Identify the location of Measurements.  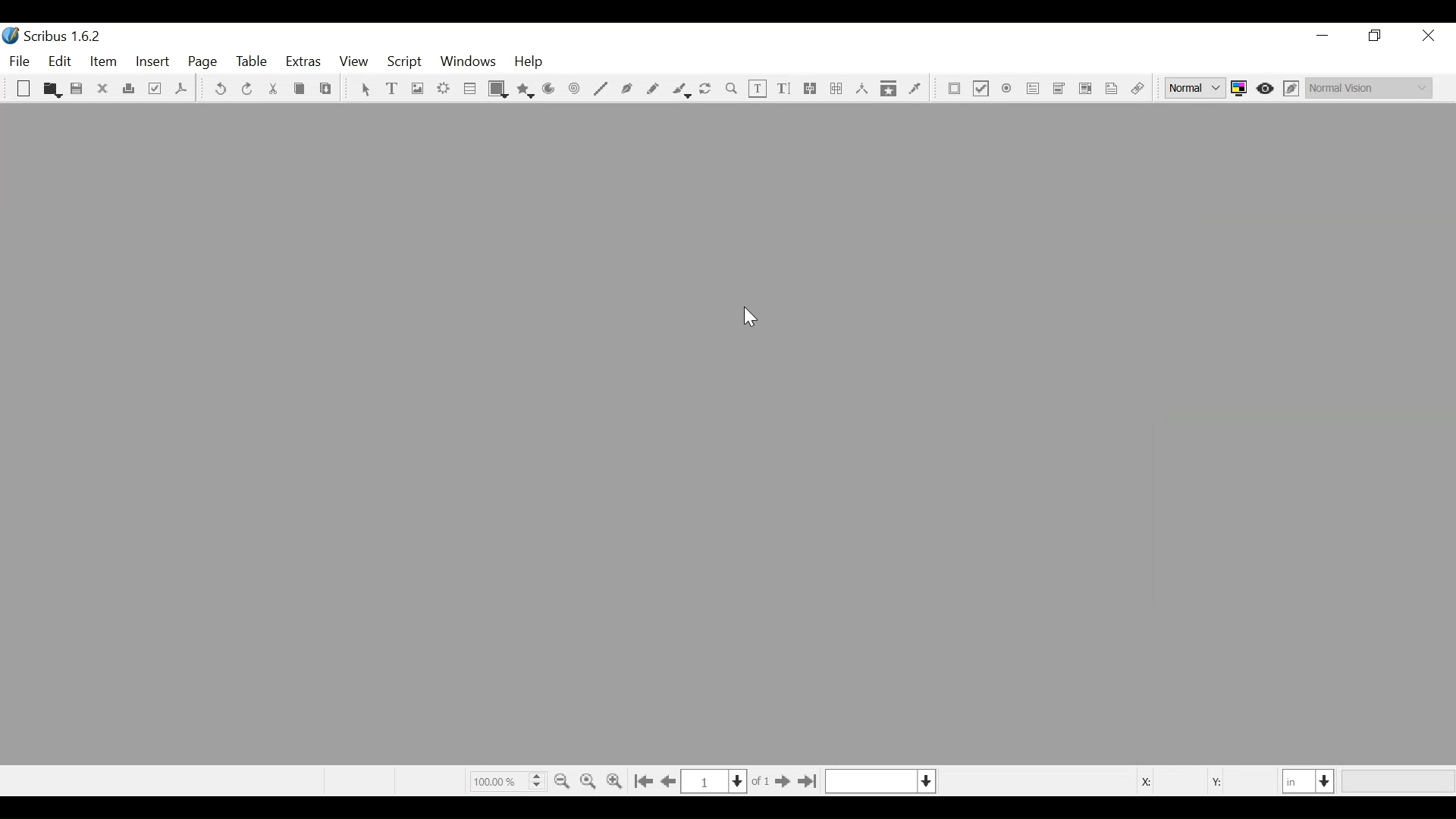
(861, 89).